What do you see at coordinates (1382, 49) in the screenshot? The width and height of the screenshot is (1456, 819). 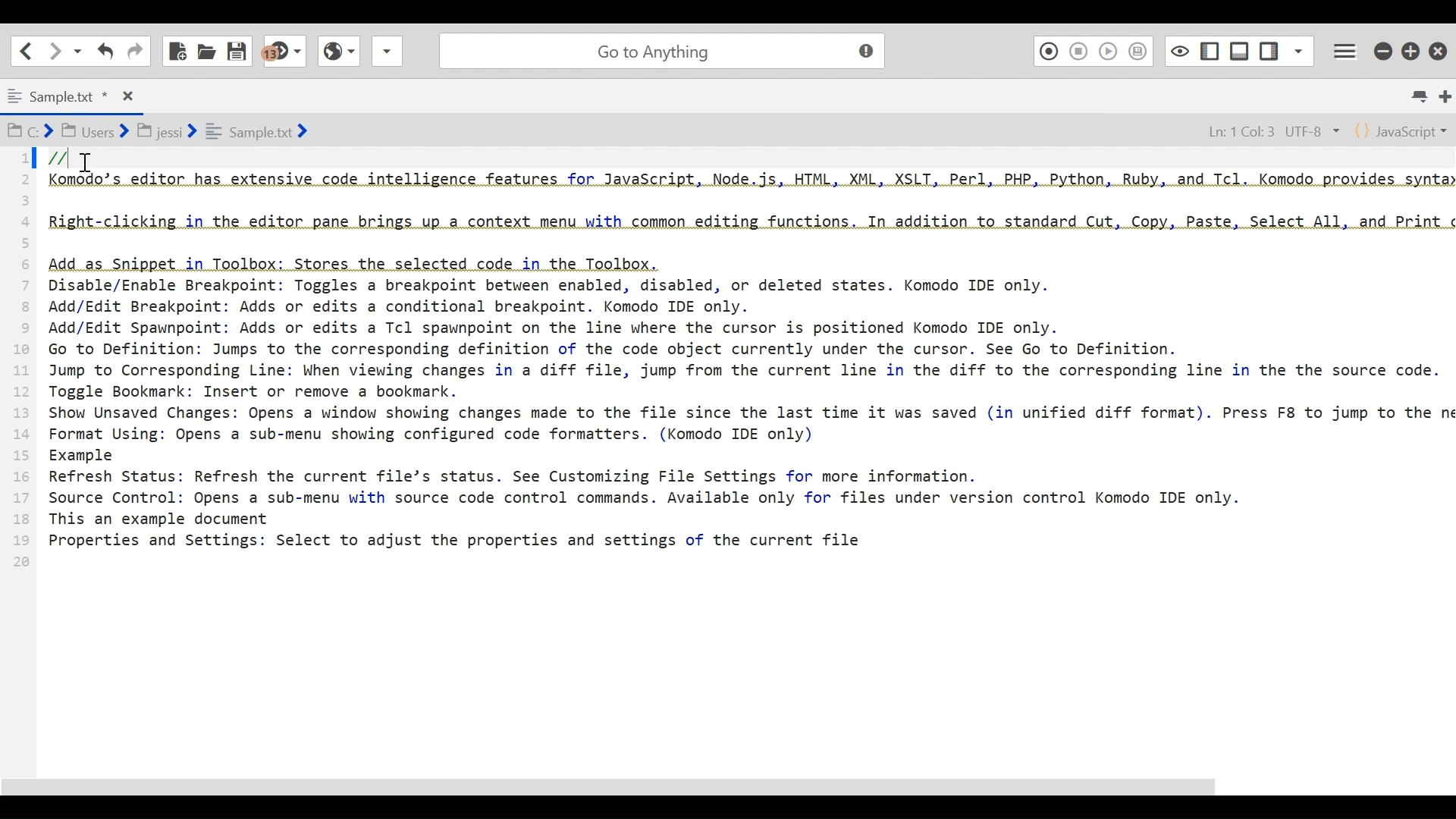 I see `minimize` at bounding box center [1382, 49].